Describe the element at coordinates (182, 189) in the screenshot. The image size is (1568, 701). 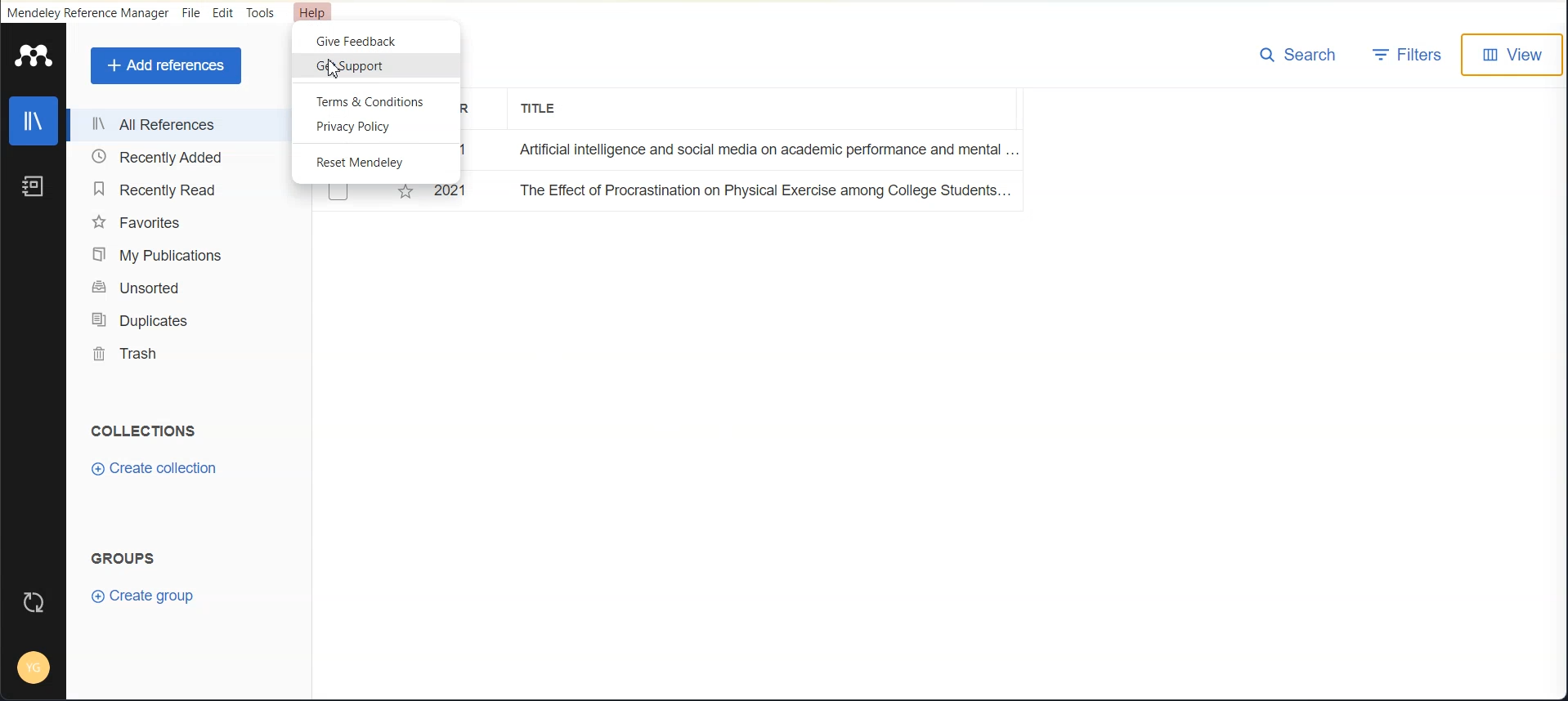
I see `Recently Read` at that location.